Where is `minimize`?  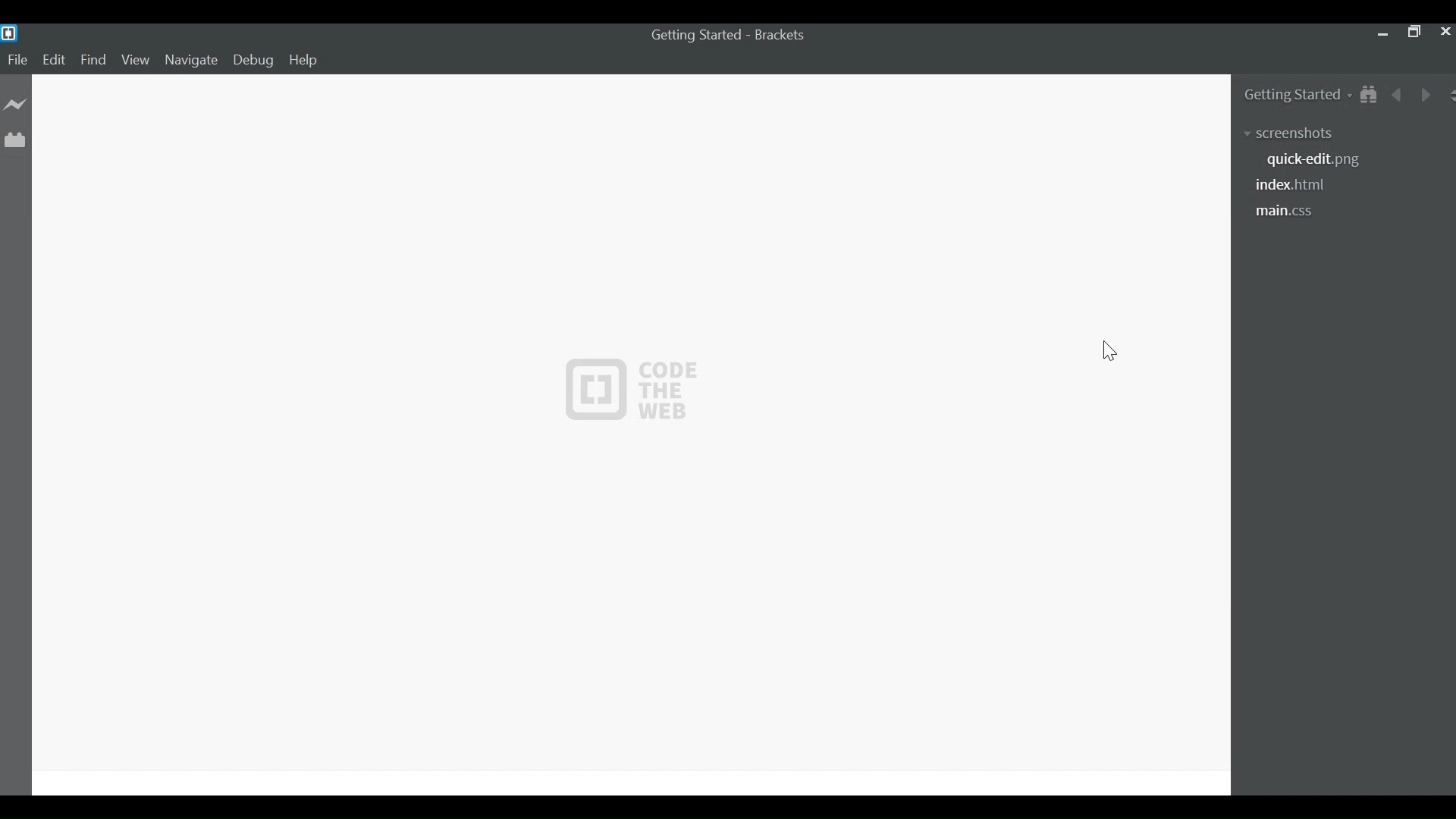 minimize is located at coordinates (1382, 33).